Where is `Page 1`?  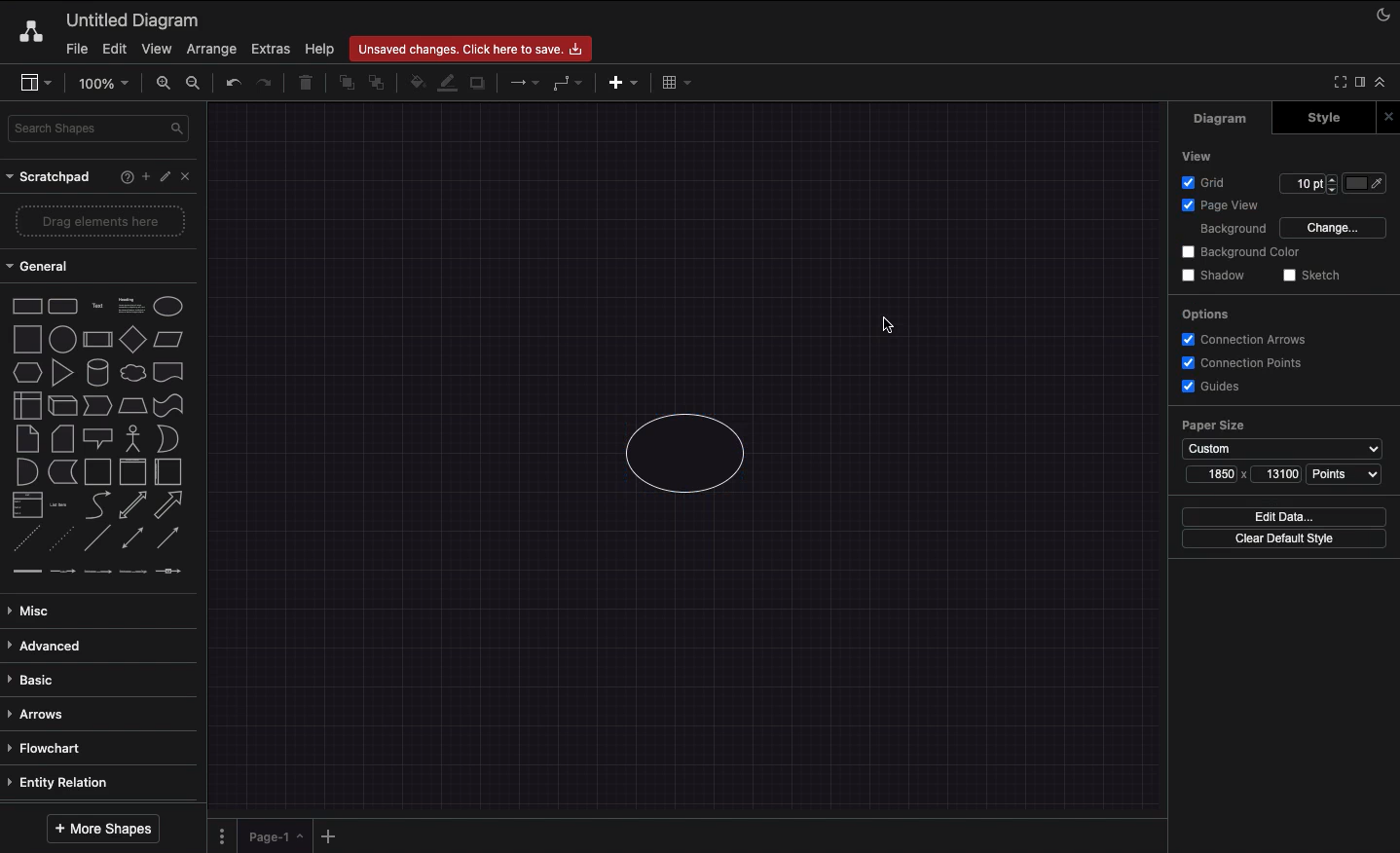
Page 1 is located at coordinates (273, 834).